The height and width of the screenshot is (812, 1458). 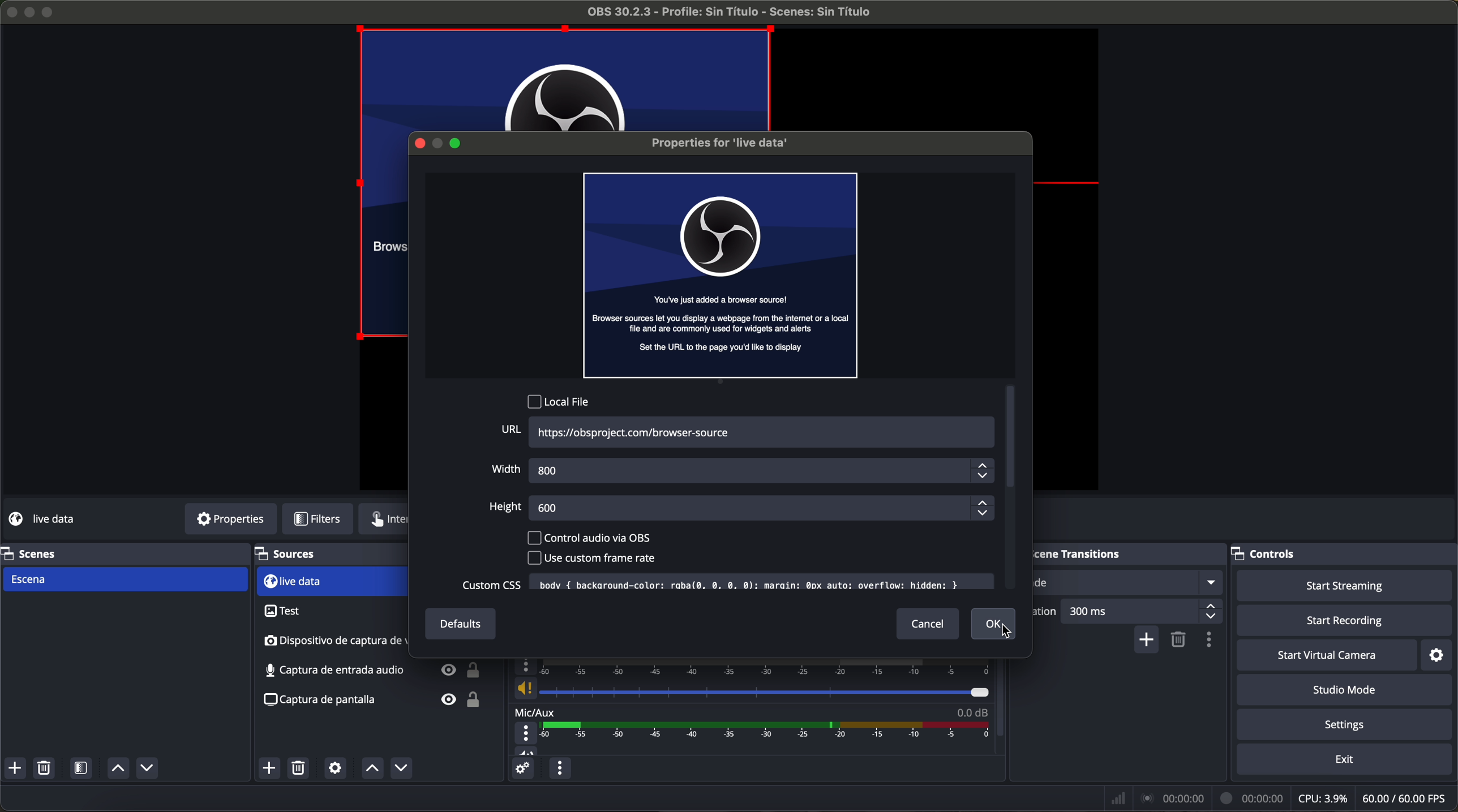 I want to click on click on OK, so click(x=993, y=626).